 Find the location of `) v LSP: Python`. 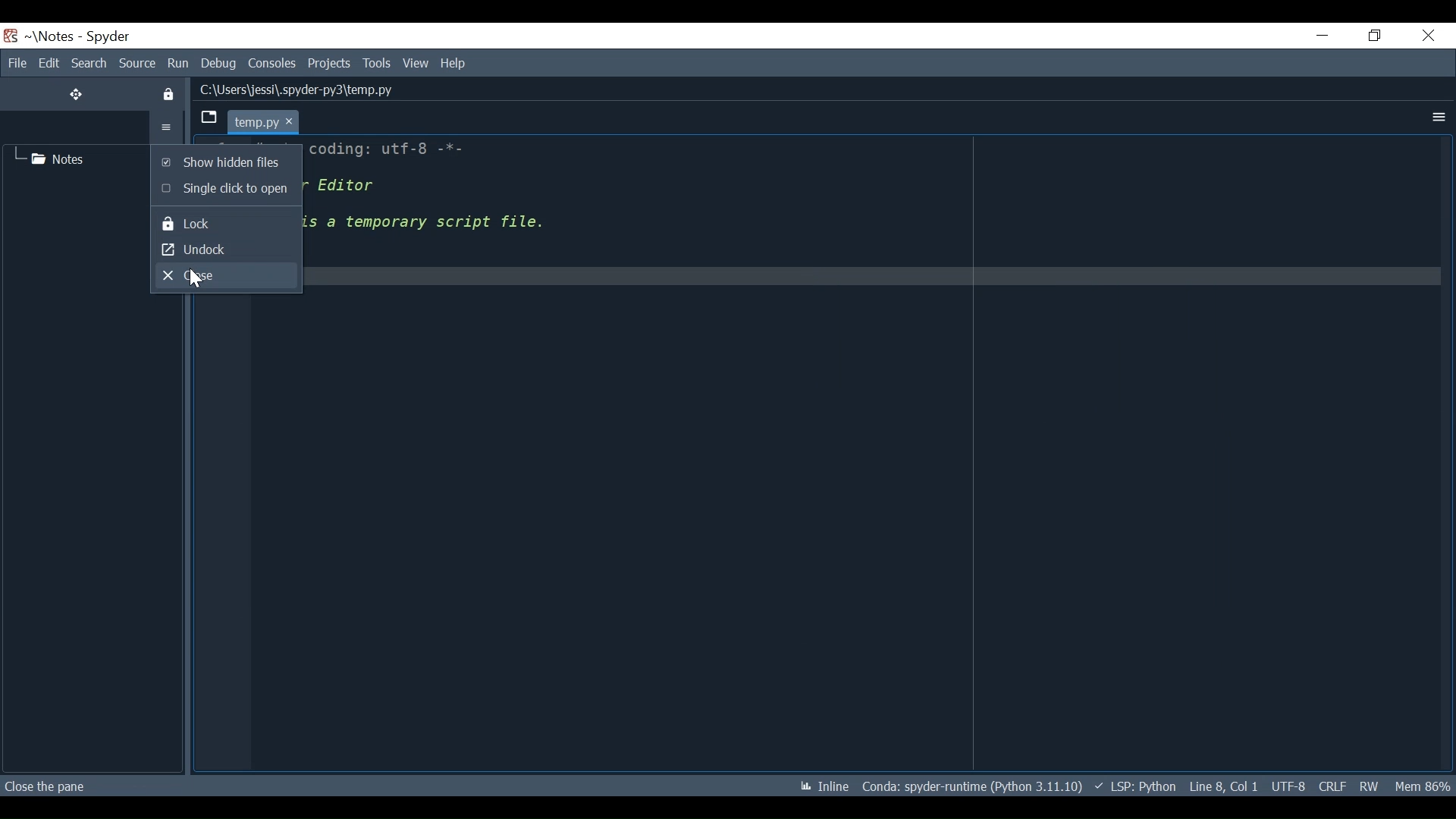

) v LSP: Python is located at coordinates (1136, 786).